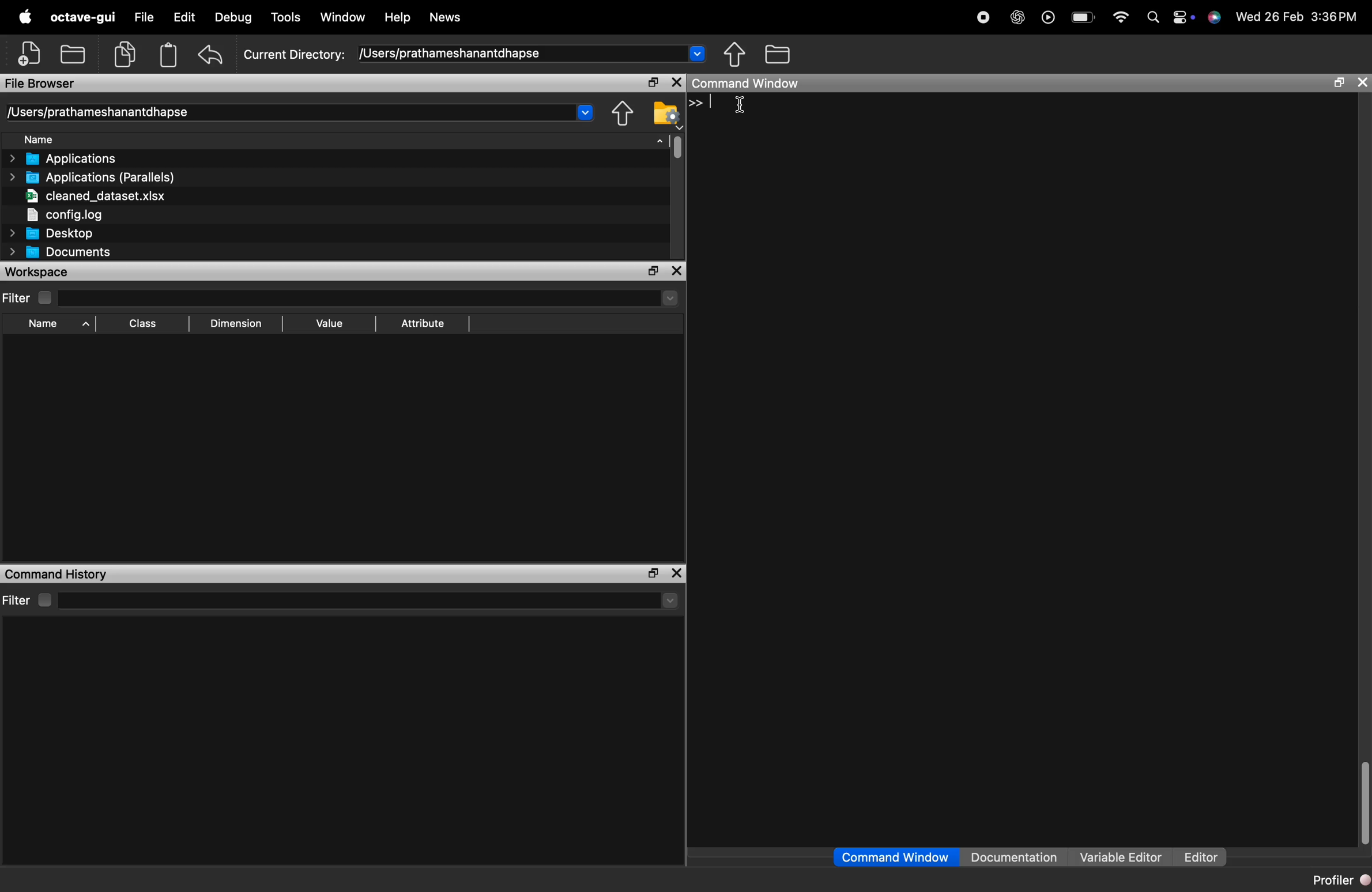 Image resolution: width=1372 pixels, height=892 pixels. Describe the element at coordinates (318, 573) in the screenshot. I see `Command History` at that location.